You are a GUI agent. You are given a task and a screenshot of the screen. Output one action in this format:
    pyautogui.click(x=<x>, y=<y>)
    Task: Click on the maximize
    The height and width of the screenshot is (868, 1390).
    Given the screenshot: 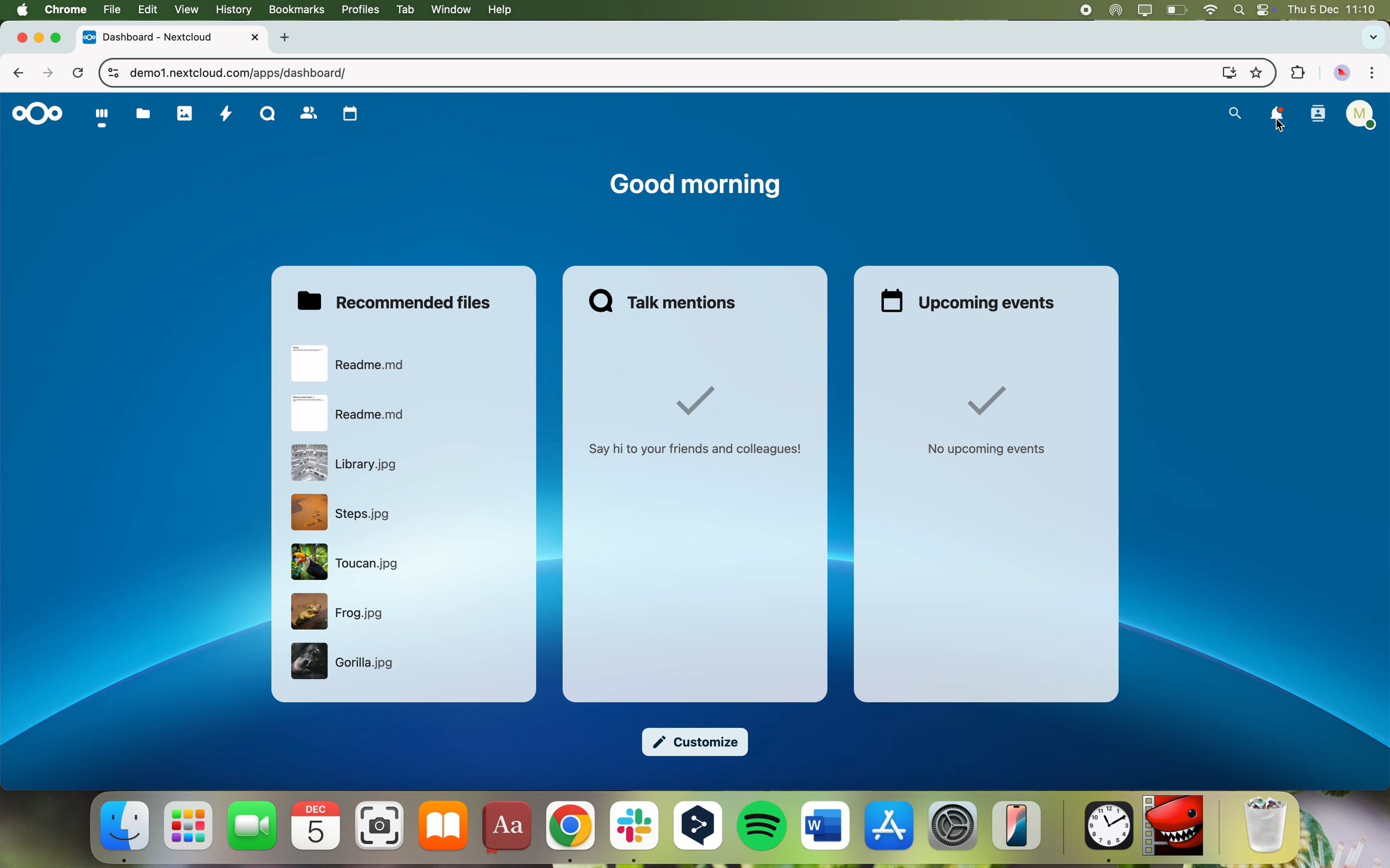 What is the action you would take?
    pyautogui.click(x=60, y=38)
    